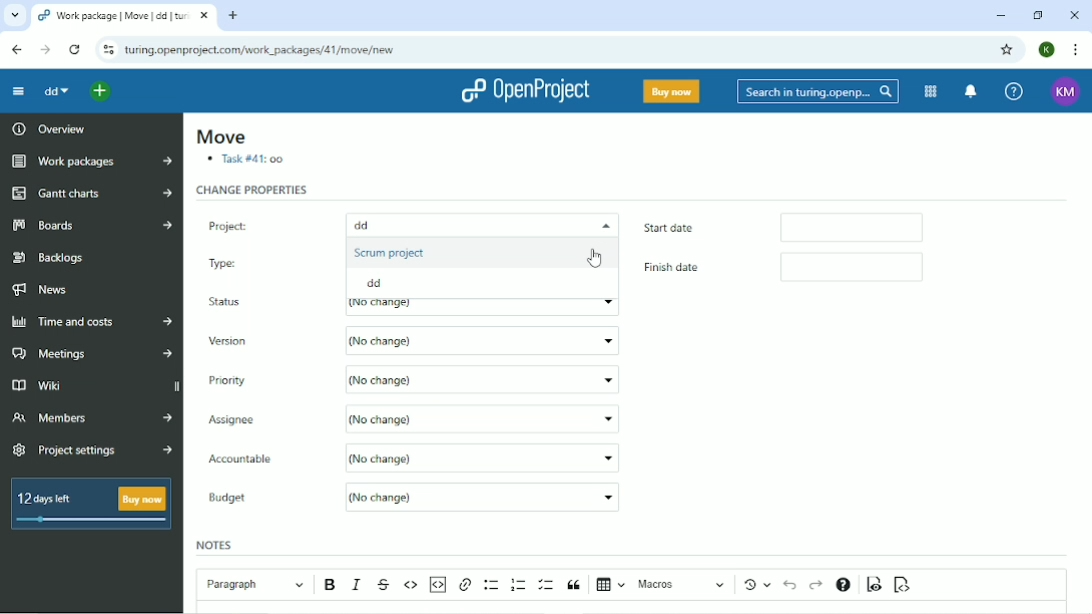  What do you see at coordinates (16, 49) in the screenshot?
I see `Back` at bounding box center [16, 49].